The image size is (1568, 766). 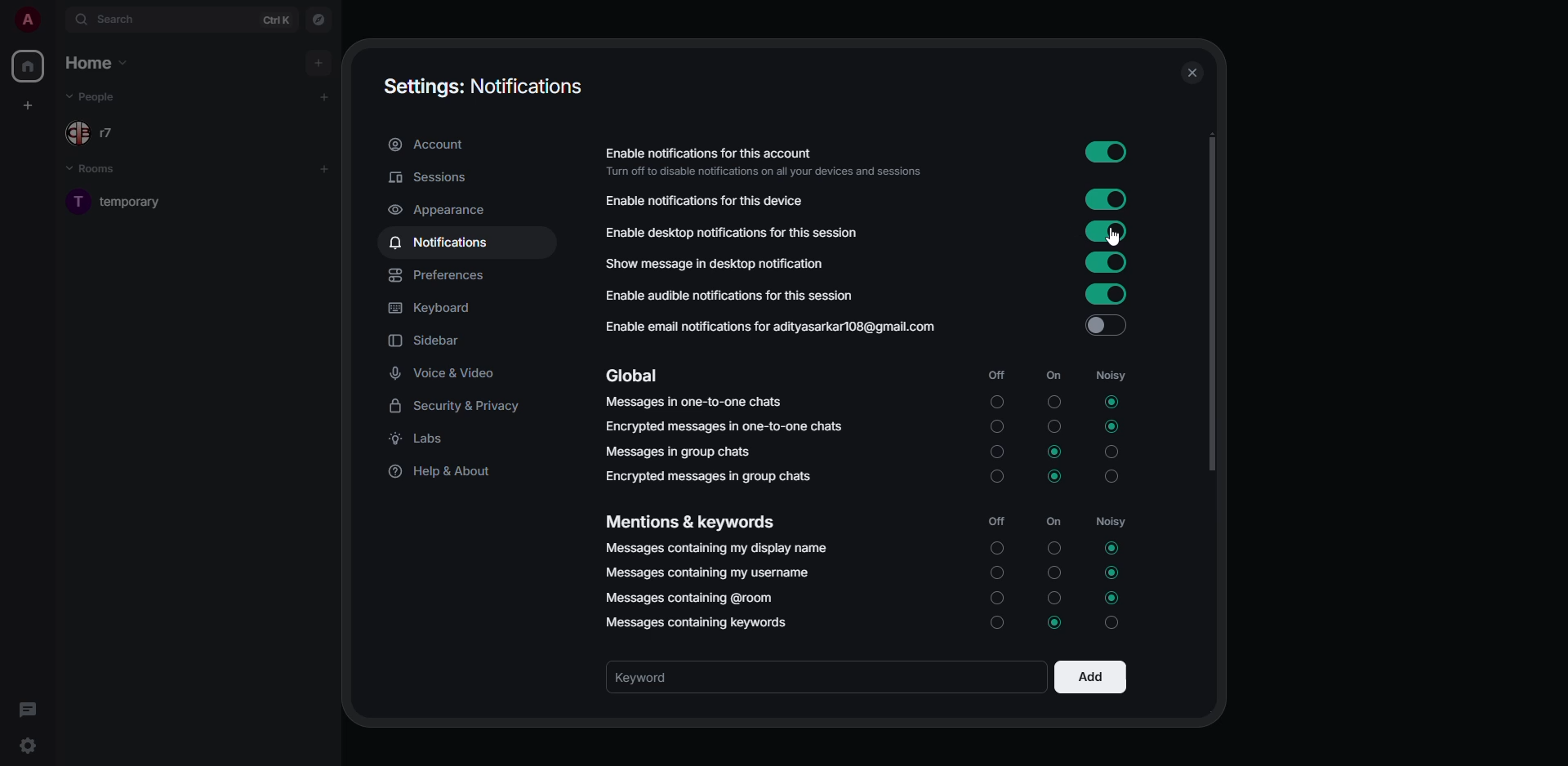 I want to click on settings notifications, so click(x=481, y=87).